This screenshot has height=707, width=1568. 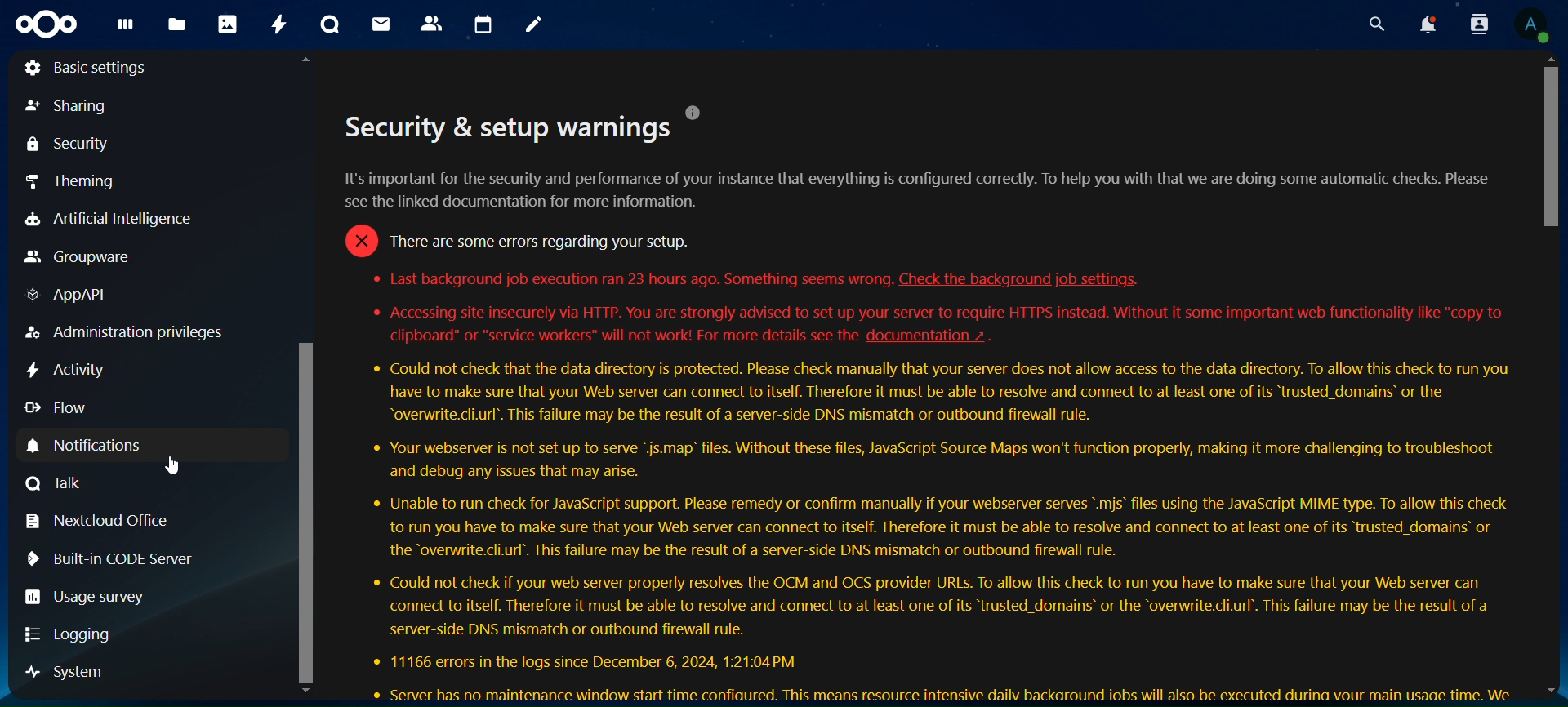 What do you see at coordinates (332, 25) in the screenshot?
I see `talk` at bounding box center [332, 25].